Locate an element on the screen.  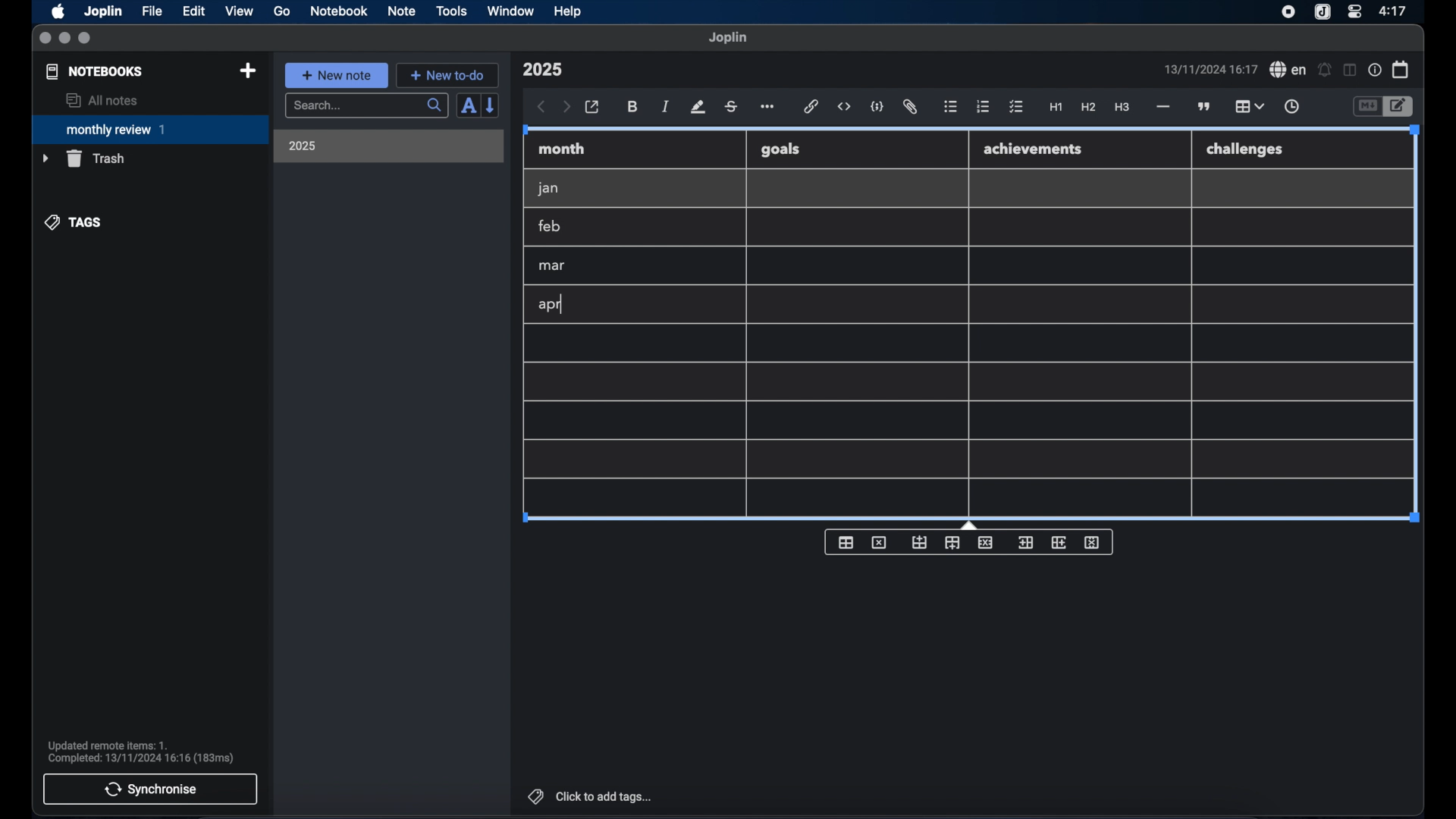
challenges is located at coordinates (1246, 150).